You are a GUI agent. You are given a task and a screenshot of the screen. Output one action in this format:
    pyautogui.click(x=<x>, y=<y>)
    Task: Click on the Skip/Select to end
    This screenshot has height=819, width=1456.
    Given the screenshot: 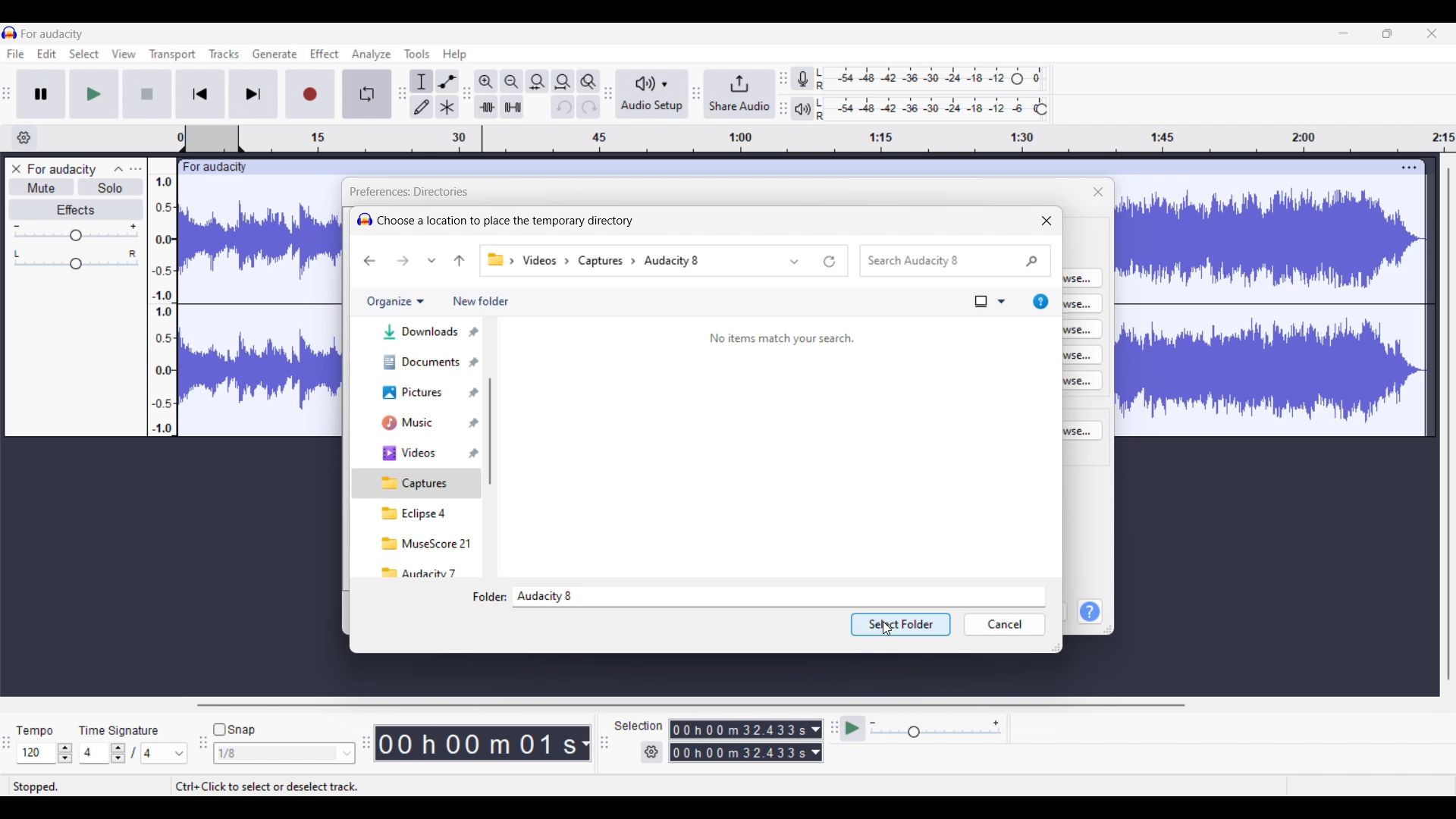 What is the action you would take?
    pyautogui.click(x=254, y=94)
    